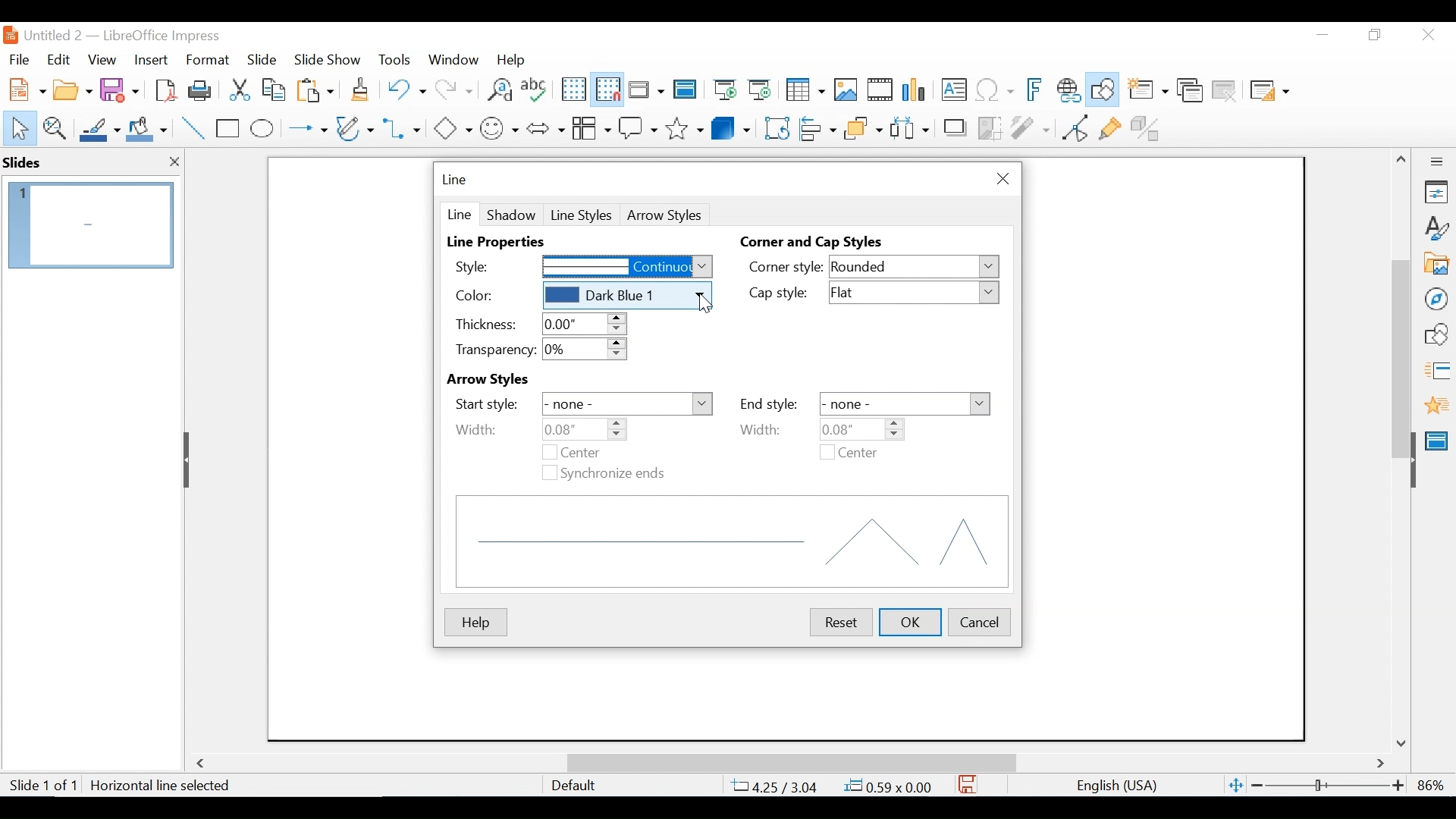 The image size is (1456, 819). What do you see at coordinates (548, 472) in the screenshot?
I see `checkbox` at bounding box center [548, 472].